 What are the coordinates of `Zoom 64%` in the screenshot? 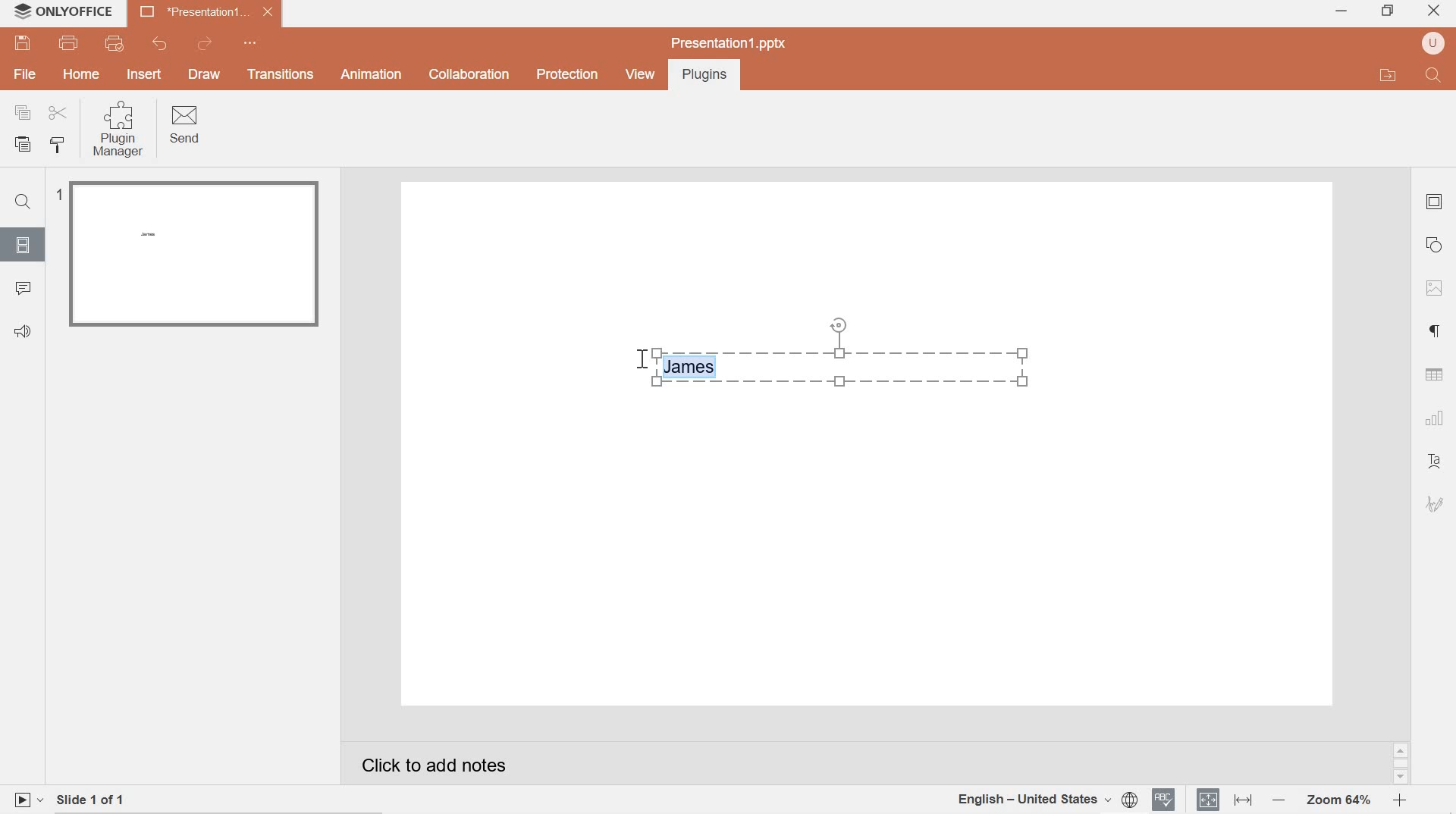 It's located at (1337, 800).